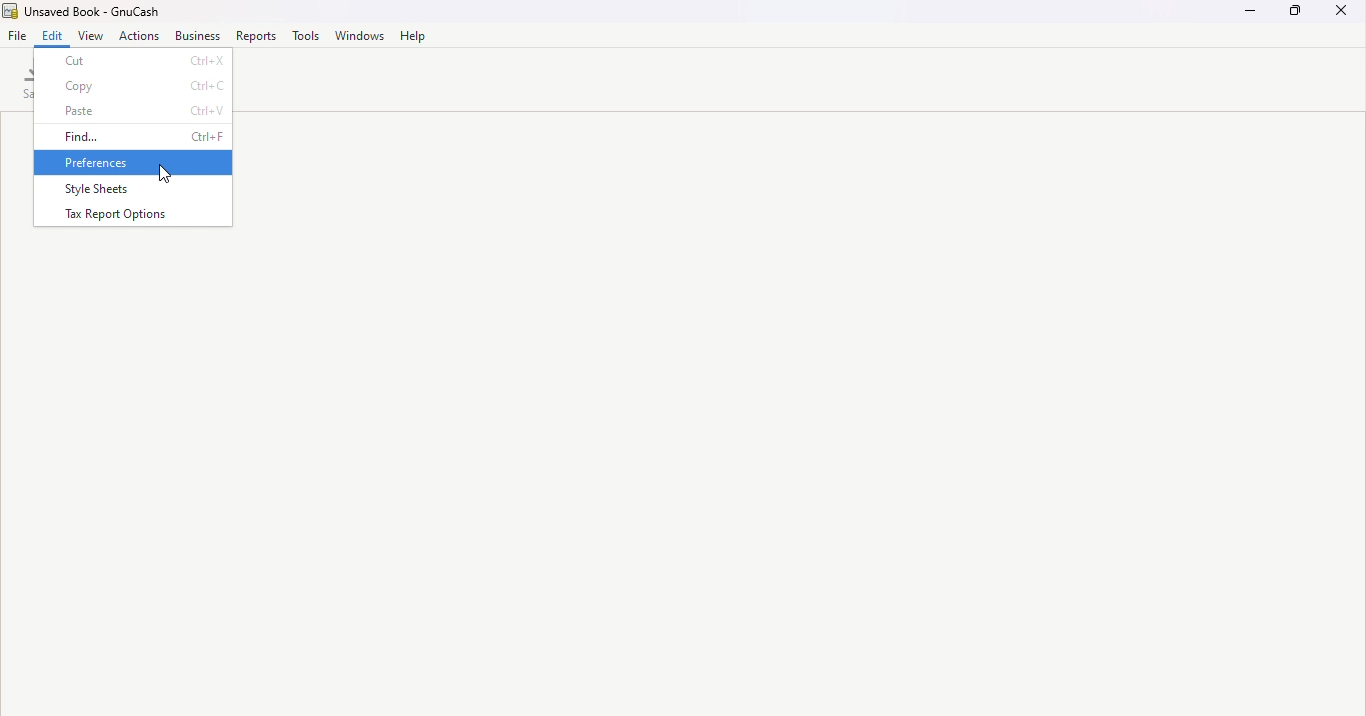 This screenshot has height=716, width=1366. Describe the element at coordinates (412, 35) in the screenshot. I see `Help` at that location.